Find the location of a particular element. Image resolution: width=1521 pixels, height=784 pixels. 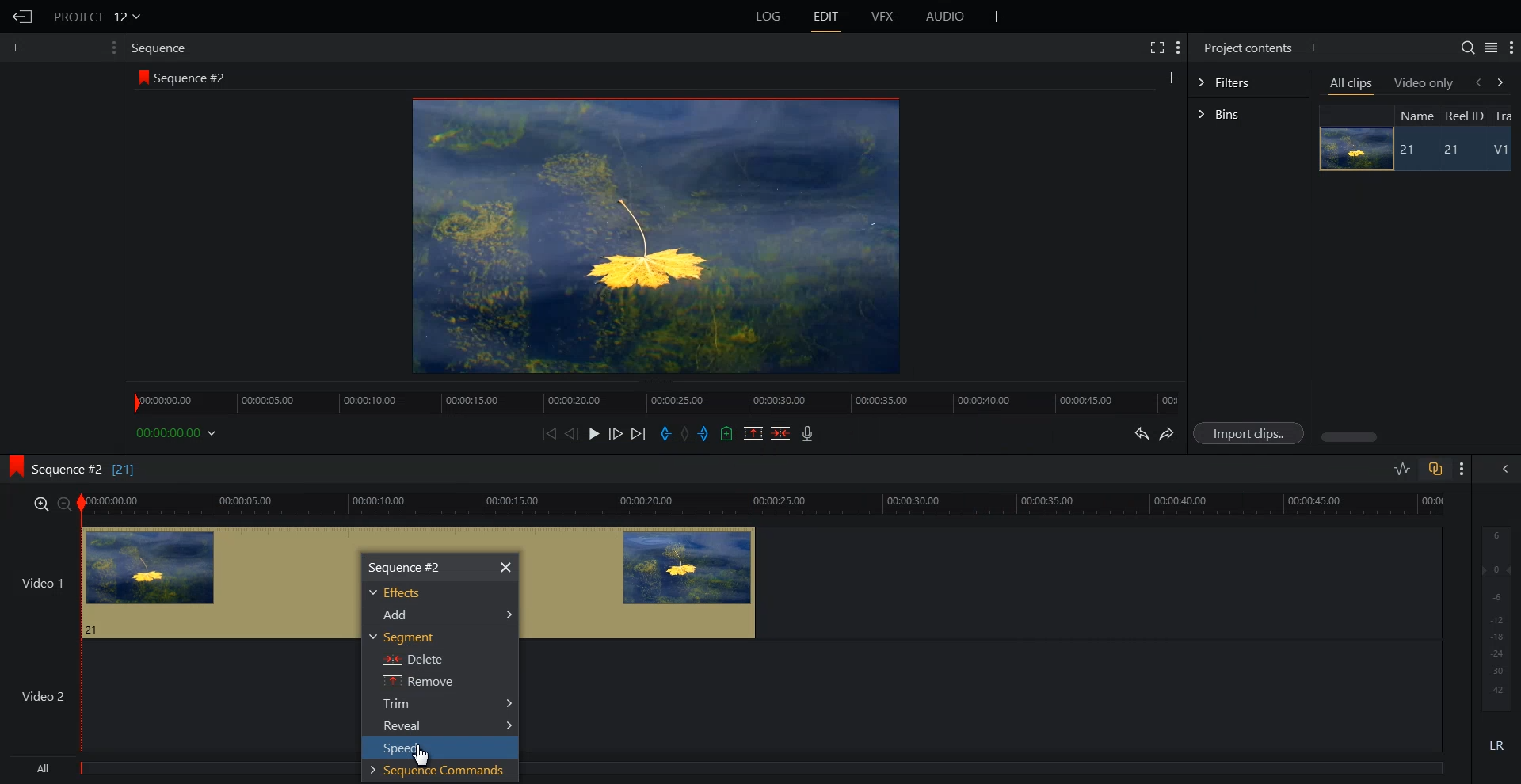

Horizontal scroll bar is located at coordinates (1351, 437).